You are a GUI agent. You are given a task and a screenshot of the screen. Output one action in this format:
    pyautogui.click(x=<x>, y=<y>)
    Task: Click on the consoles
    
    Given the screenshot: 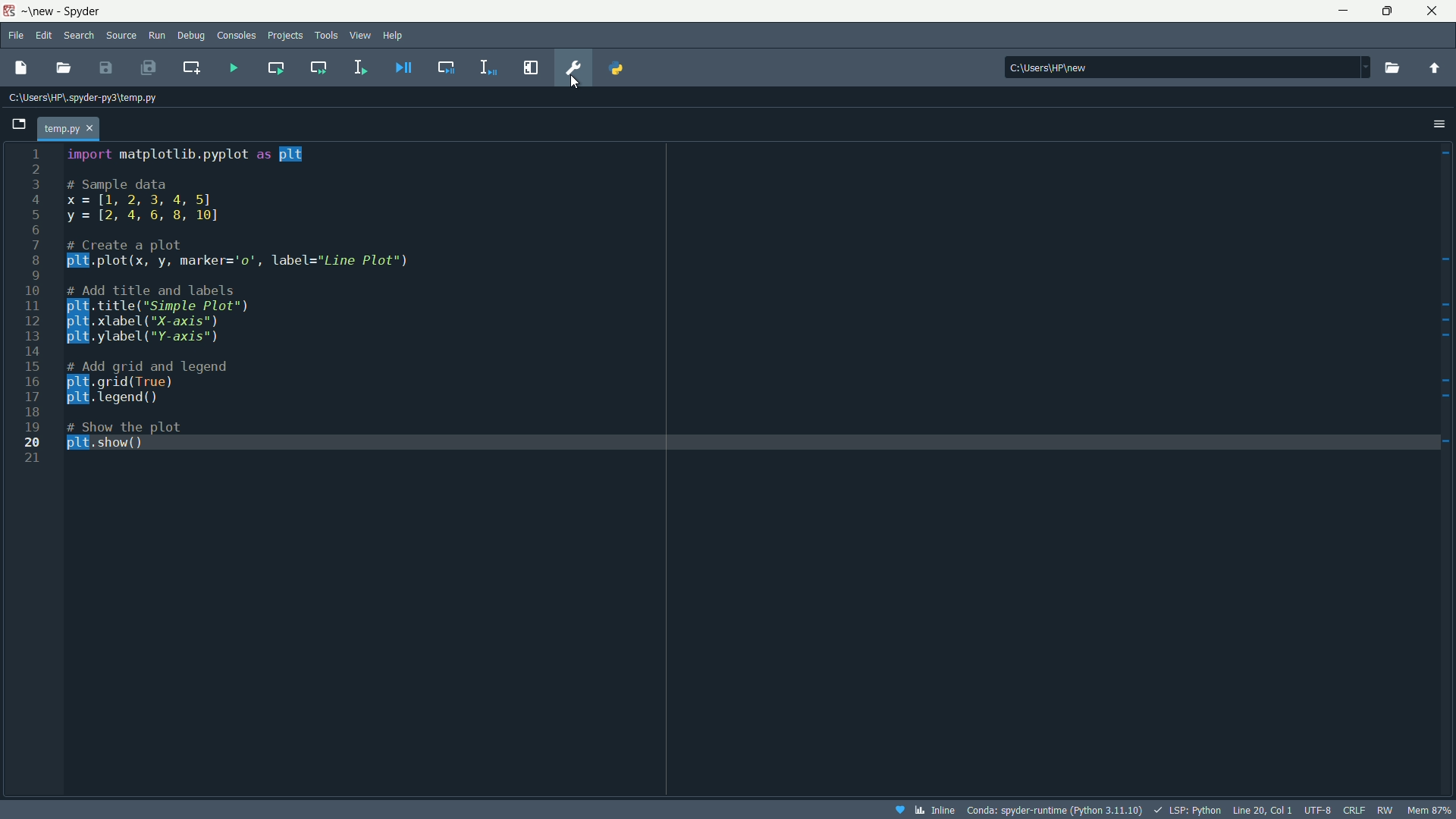 What is the action you would take?
    pyautogui.click(x=237, y=36)
    